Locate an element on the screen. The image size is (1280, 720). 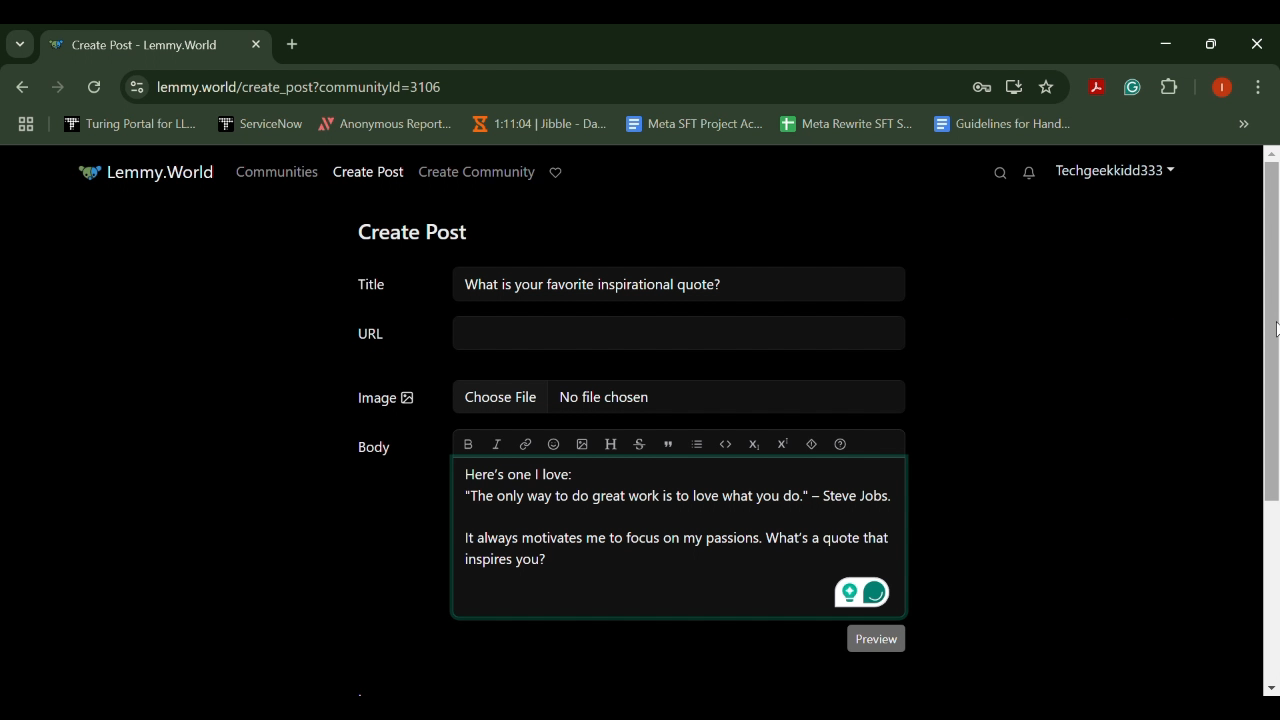
Previous Webpage is located at coordinates (19, 89).